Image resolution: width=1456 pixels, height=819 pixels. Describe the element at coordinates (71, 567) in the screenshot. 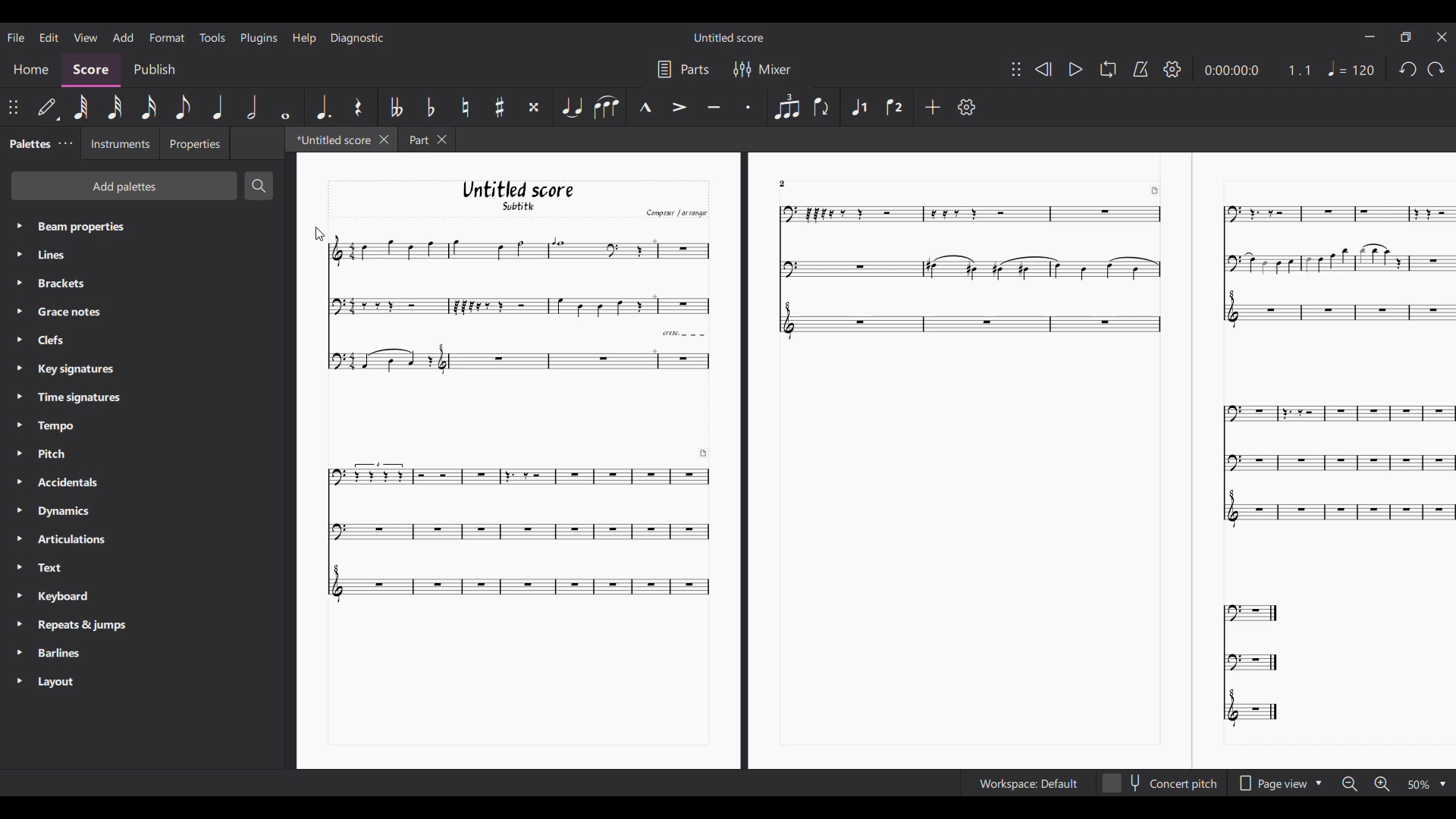

I see `Text` at that location.